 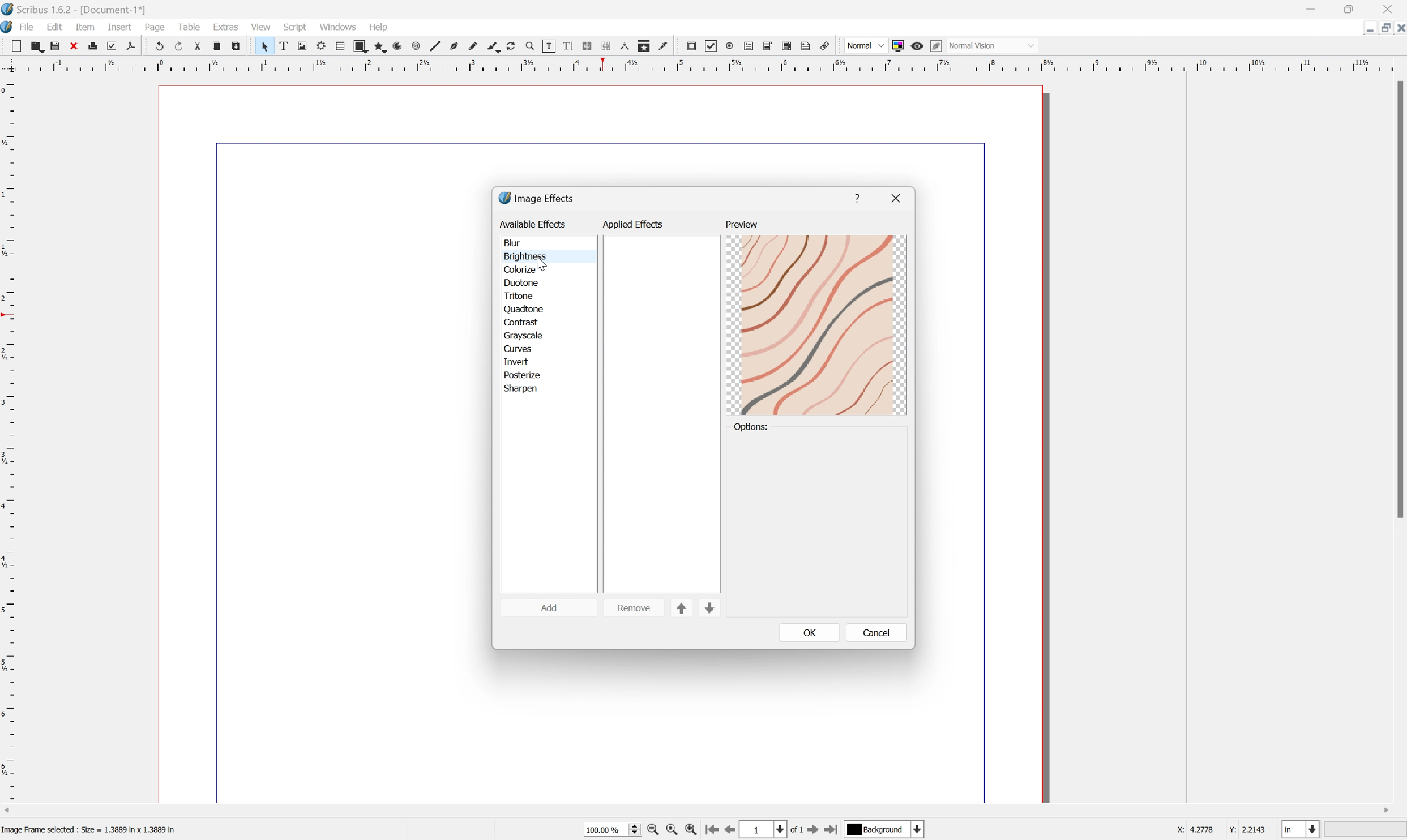 I want to click on First Page, so click(x=713, y=829).